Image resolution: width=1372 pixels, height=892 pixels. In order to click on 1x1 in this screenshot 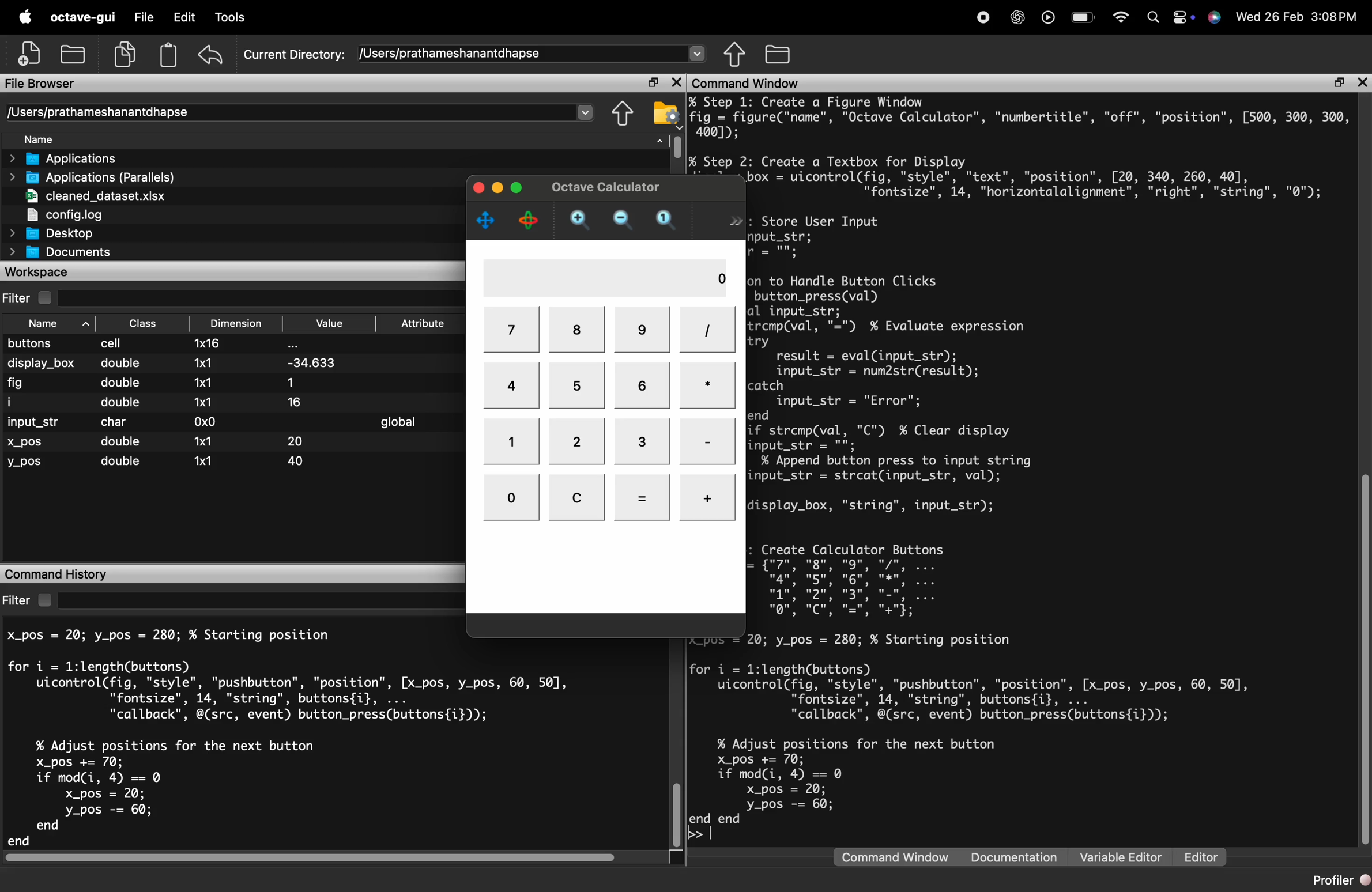, I will do `click(203, 403)`.